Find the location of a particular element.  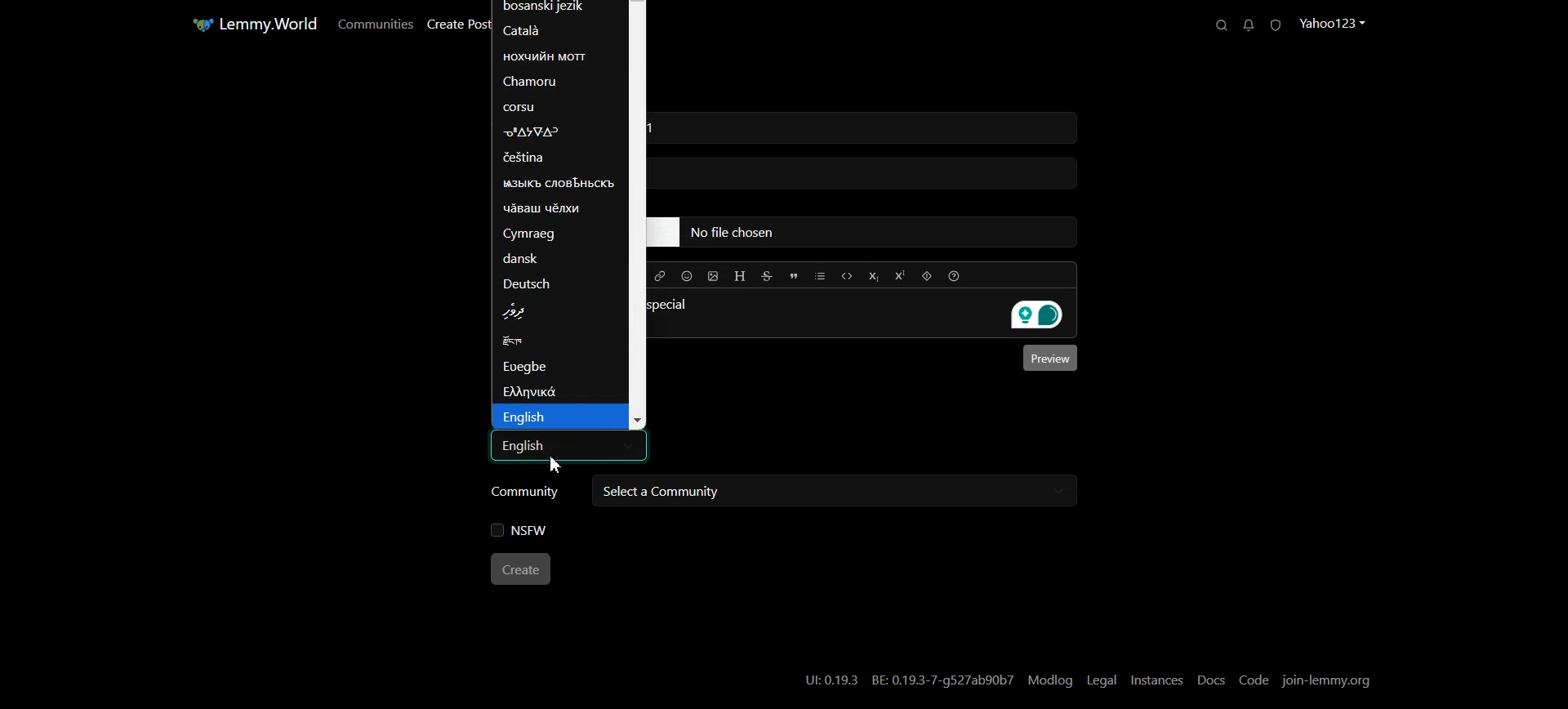

English is located at coordinates (556, 417).